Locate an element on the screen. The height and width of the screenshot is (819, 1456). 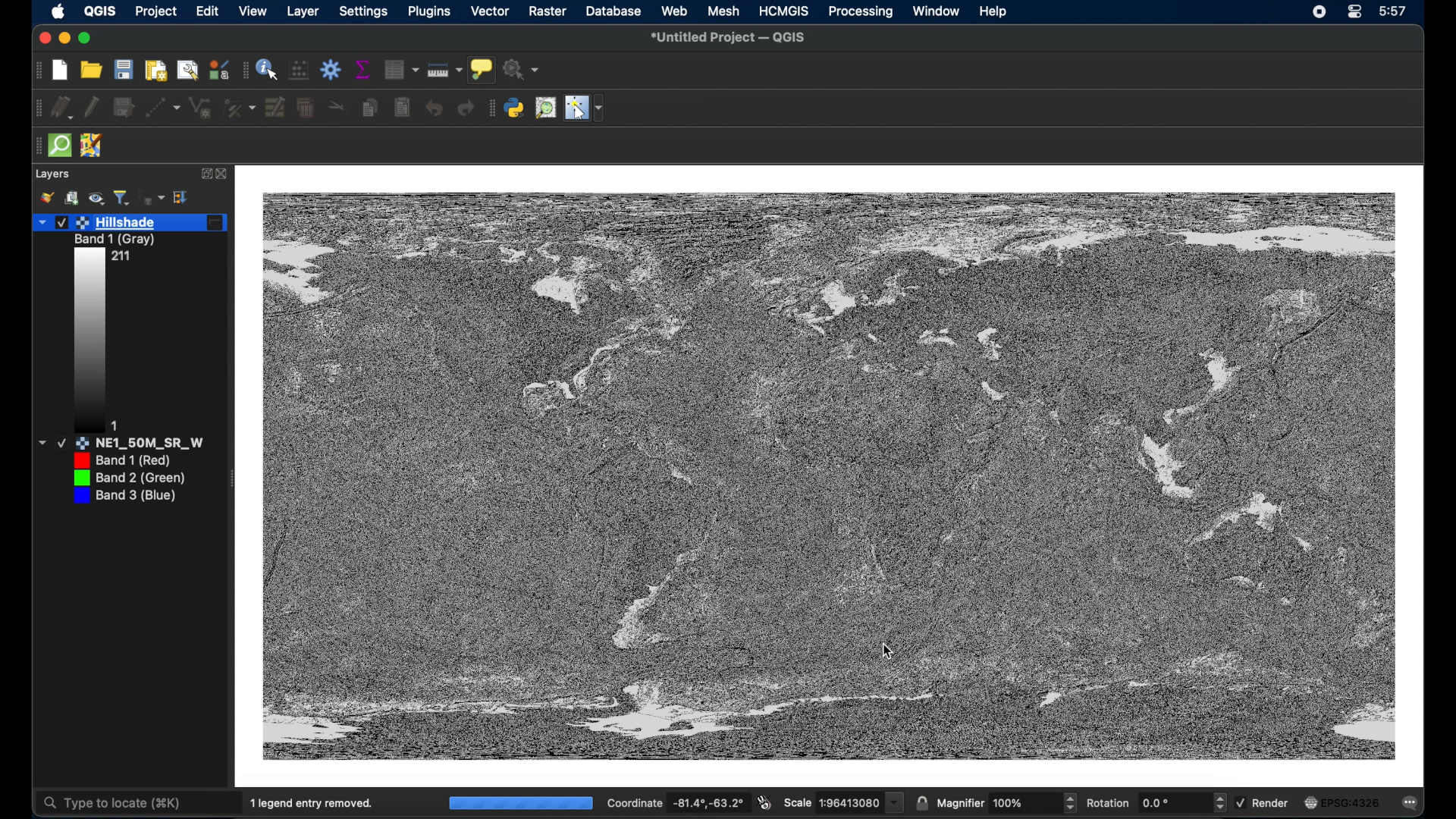
project is located at coordinates (156, 12).